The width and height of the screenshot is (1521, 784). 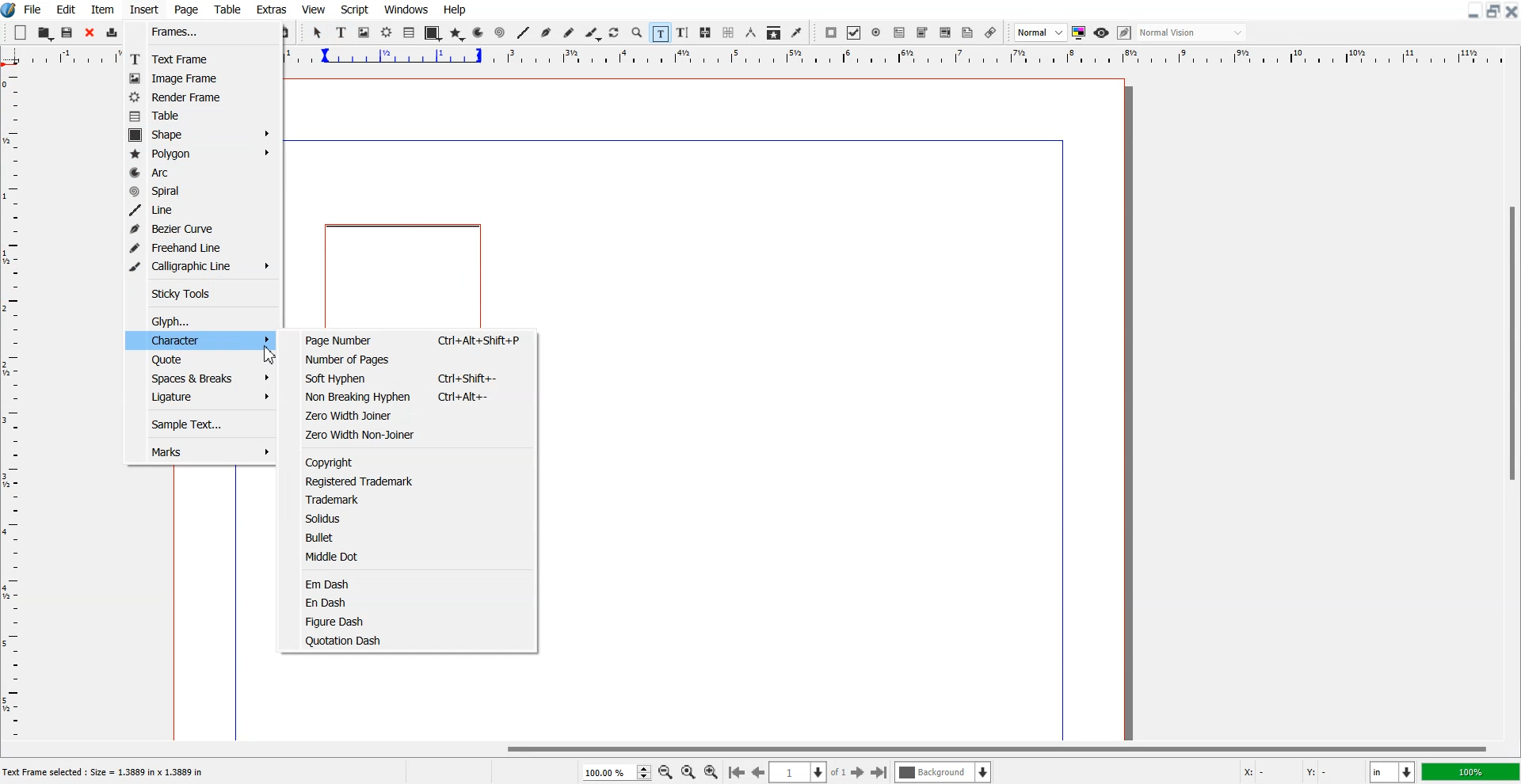 I want to click on Bezier curve, so click(x=547, y=33).